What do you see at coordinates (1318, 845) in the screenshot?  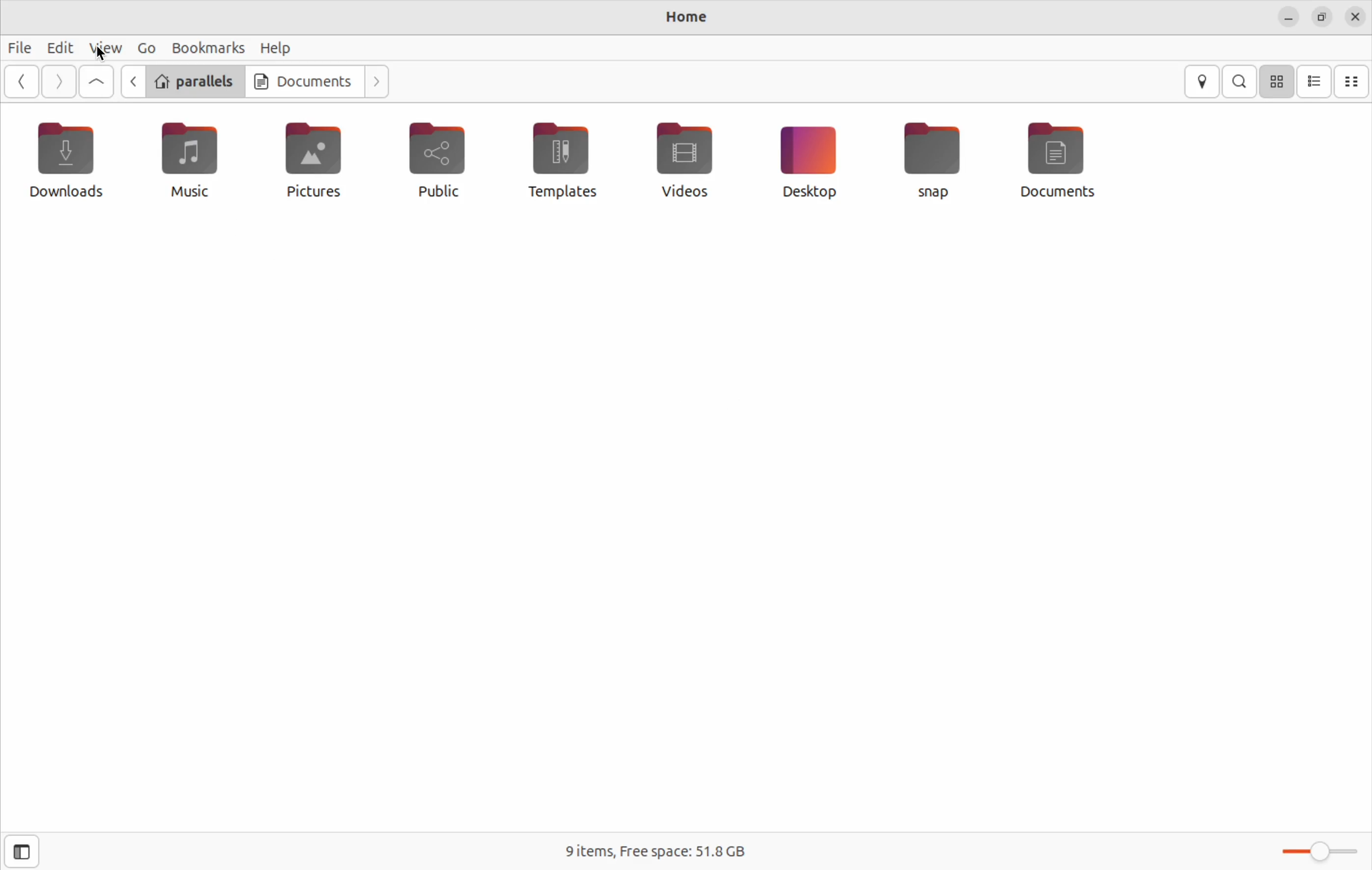 I see `Toggle zoom` at bounding box center [1318, 845].